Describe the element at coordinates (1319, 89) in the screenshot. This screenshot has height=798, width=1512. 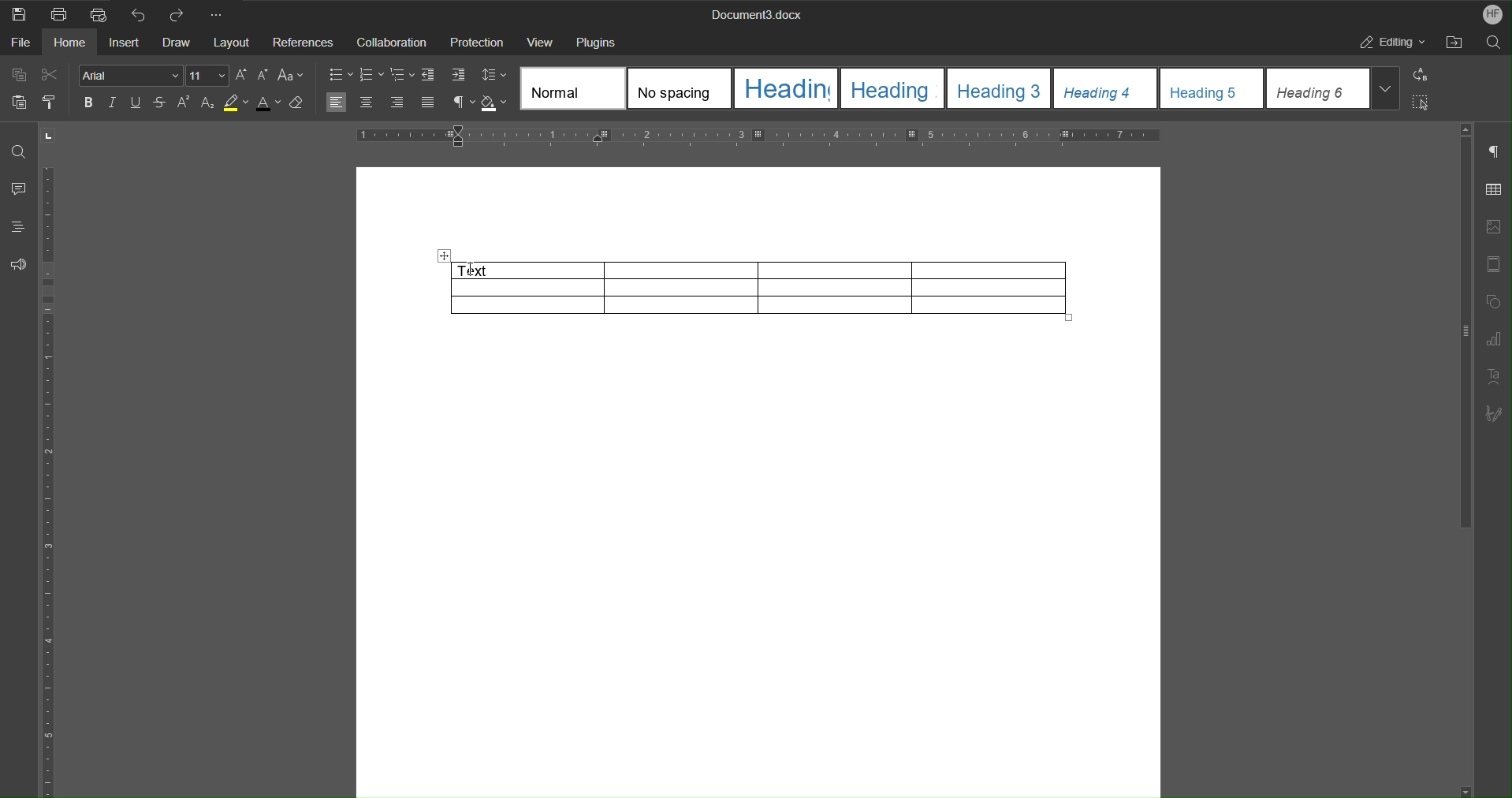
I see `Heading 6` at that location.